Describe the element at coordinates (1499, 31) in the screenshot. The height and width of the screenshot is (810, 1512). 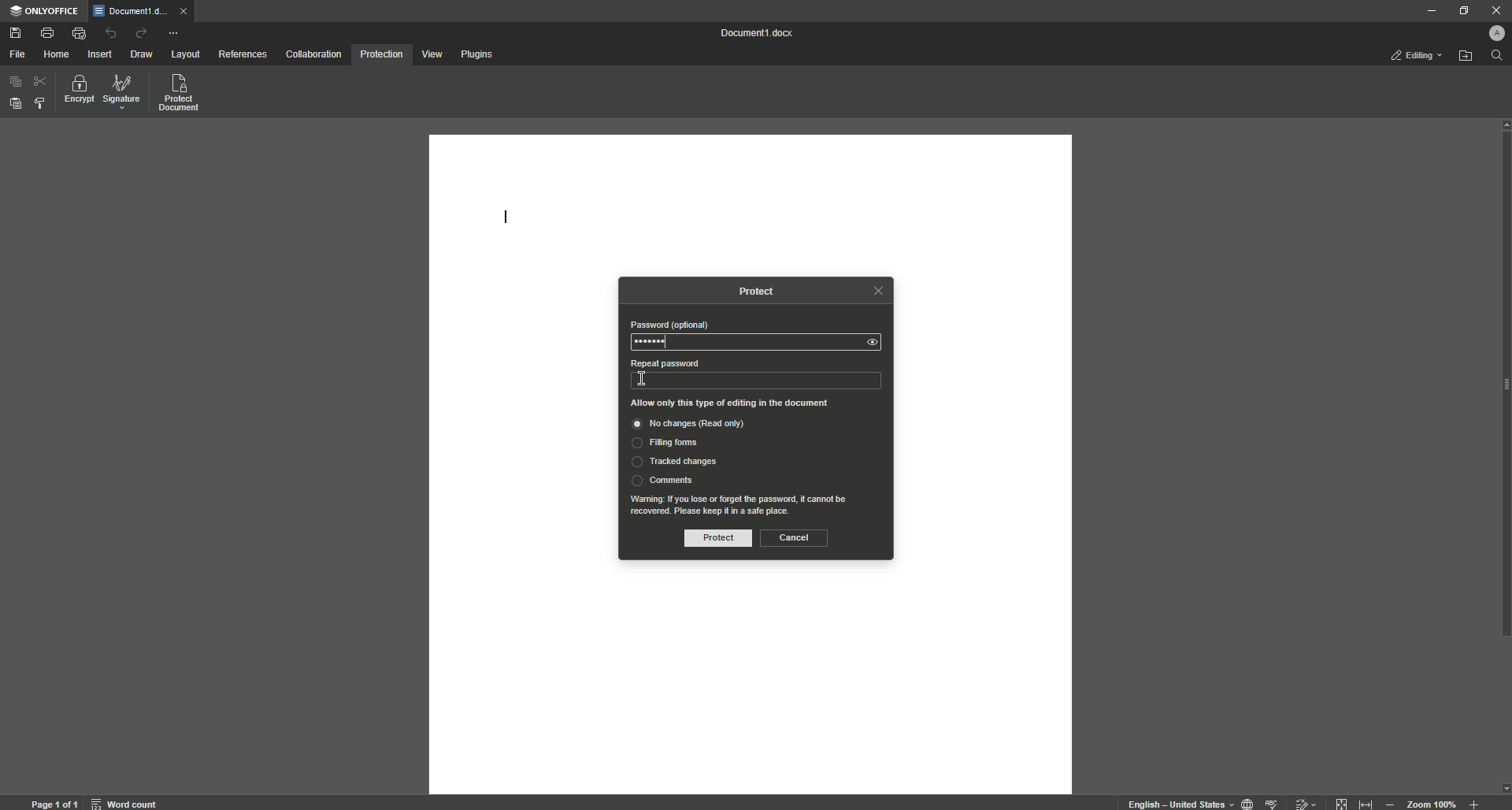
I see `Profile` at that location.